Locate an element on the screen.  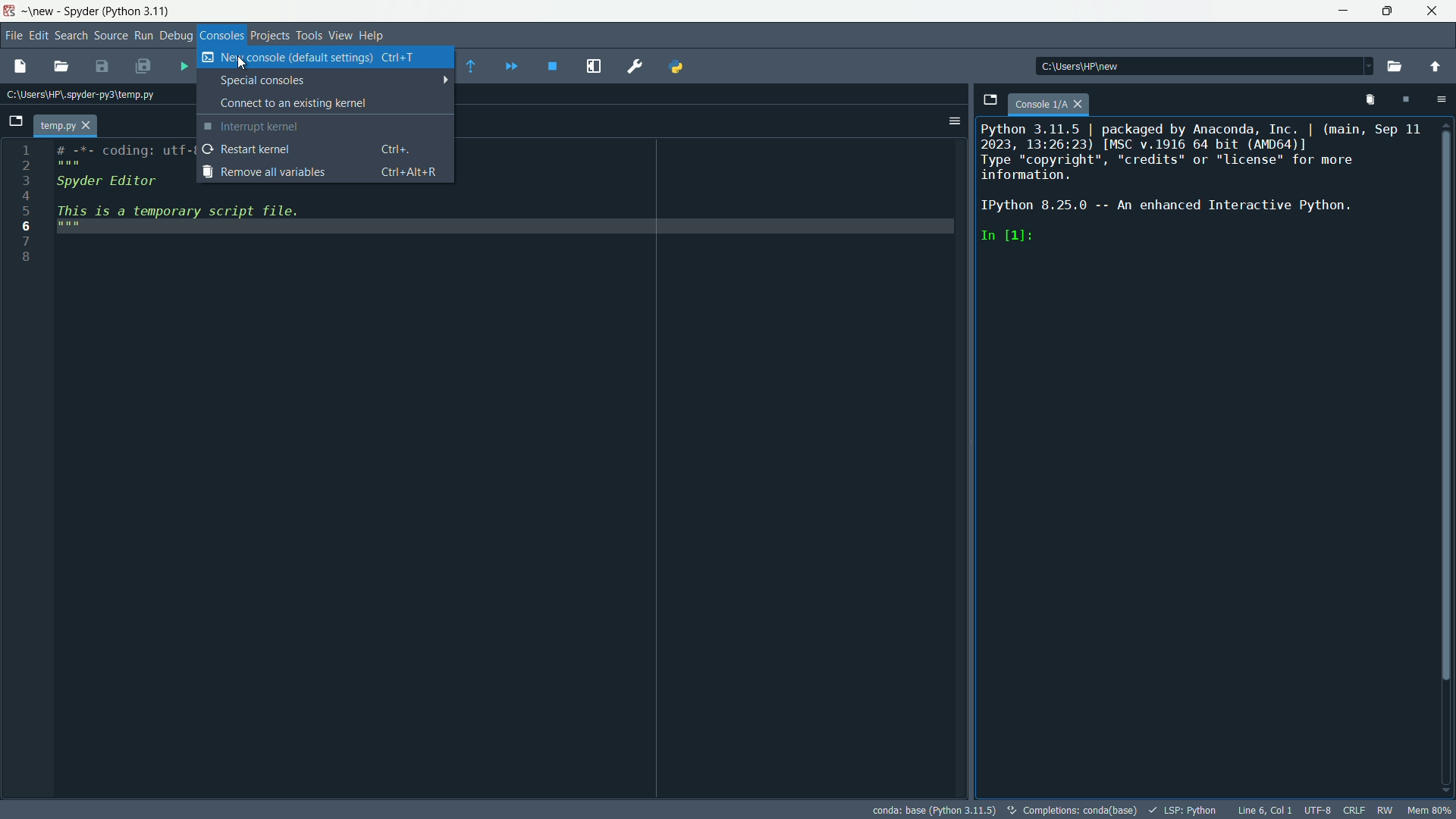
options is located at coordinates (1441, 99).